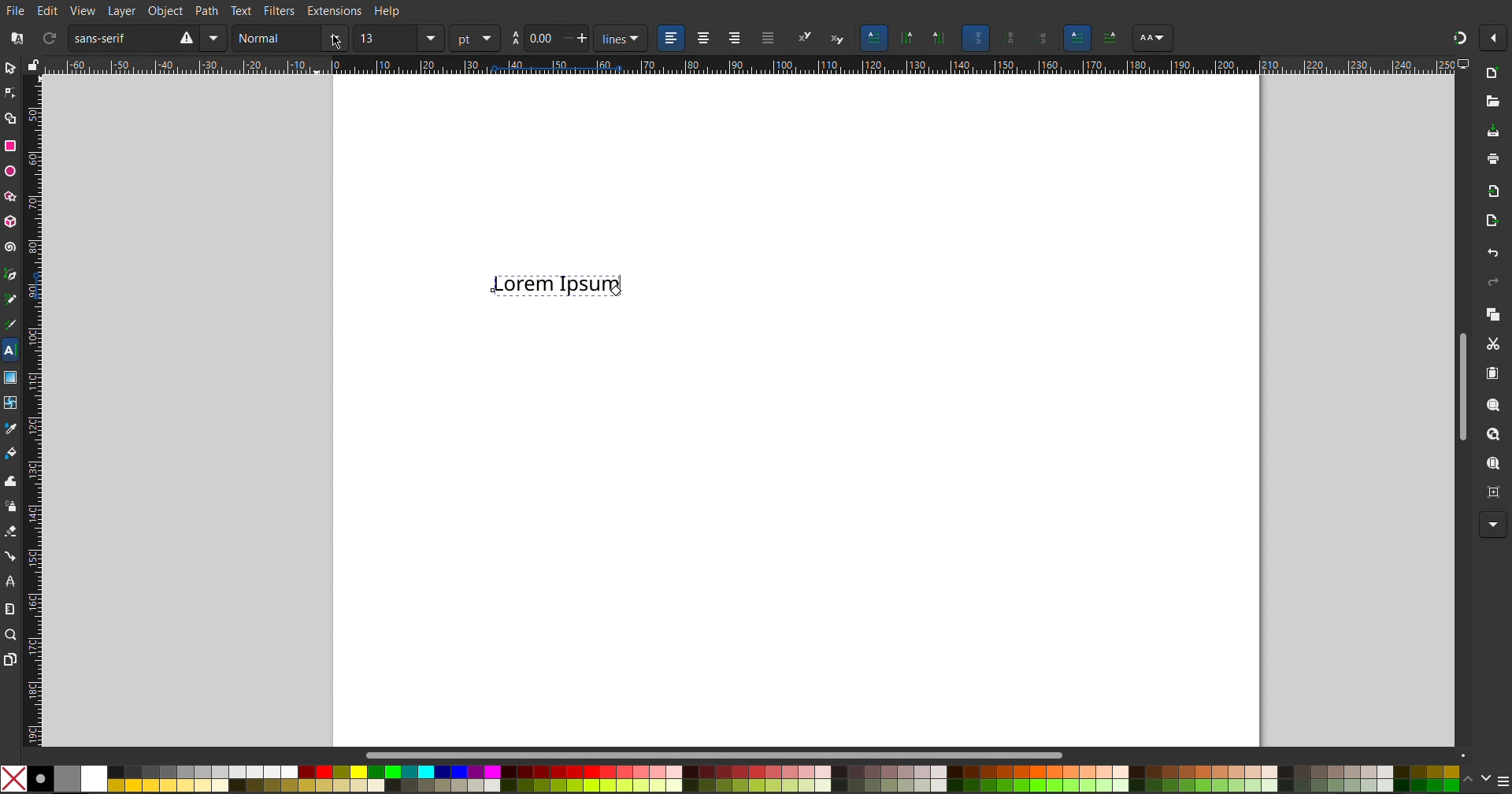 Image resolution: width=1512 pixels, height=794 pixels. Describe the element at coordinates (622, 39) in the screenshot. I see `unit` at that location.